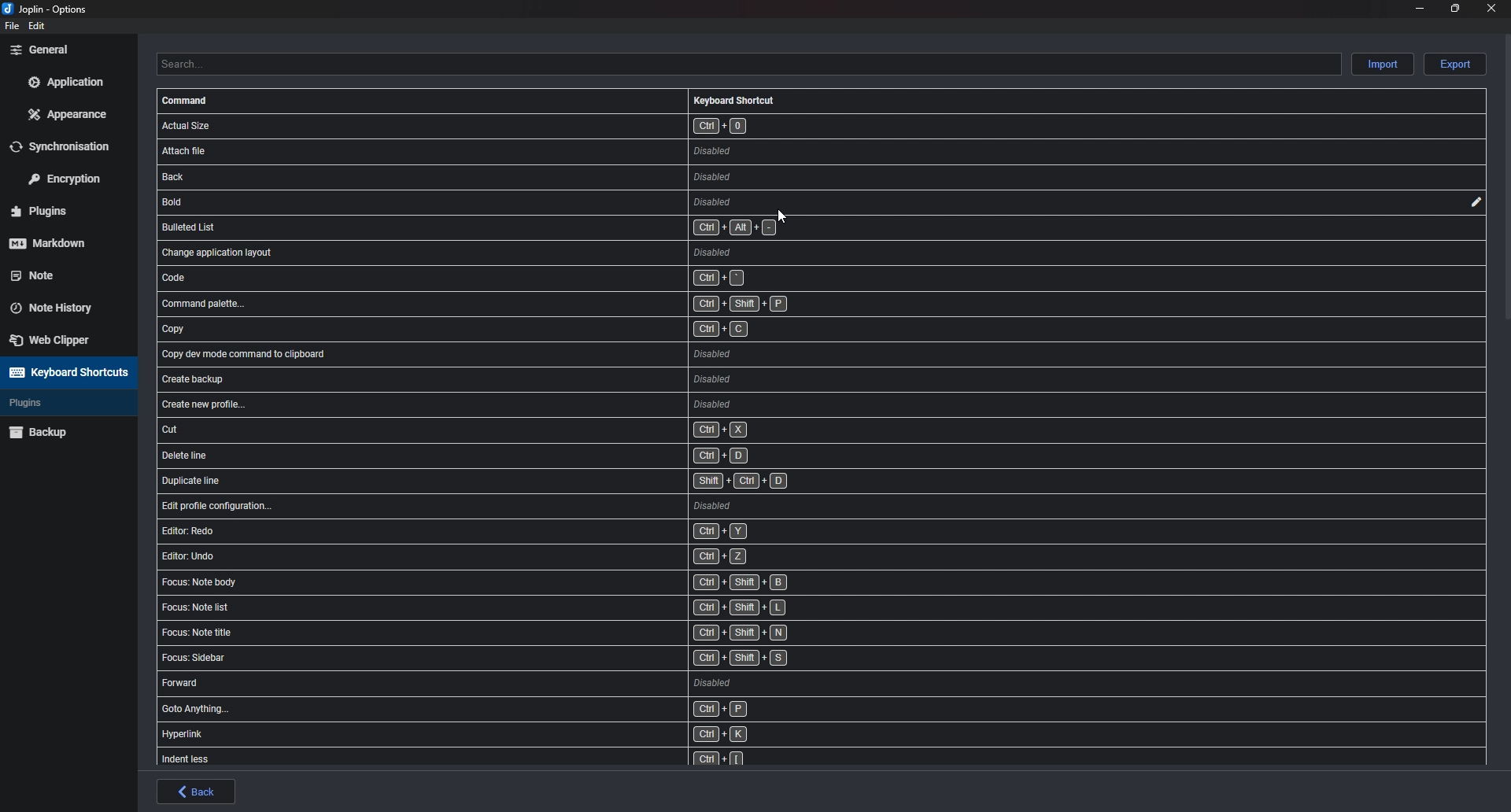  I want to click on shortcut, so click(531, 304).